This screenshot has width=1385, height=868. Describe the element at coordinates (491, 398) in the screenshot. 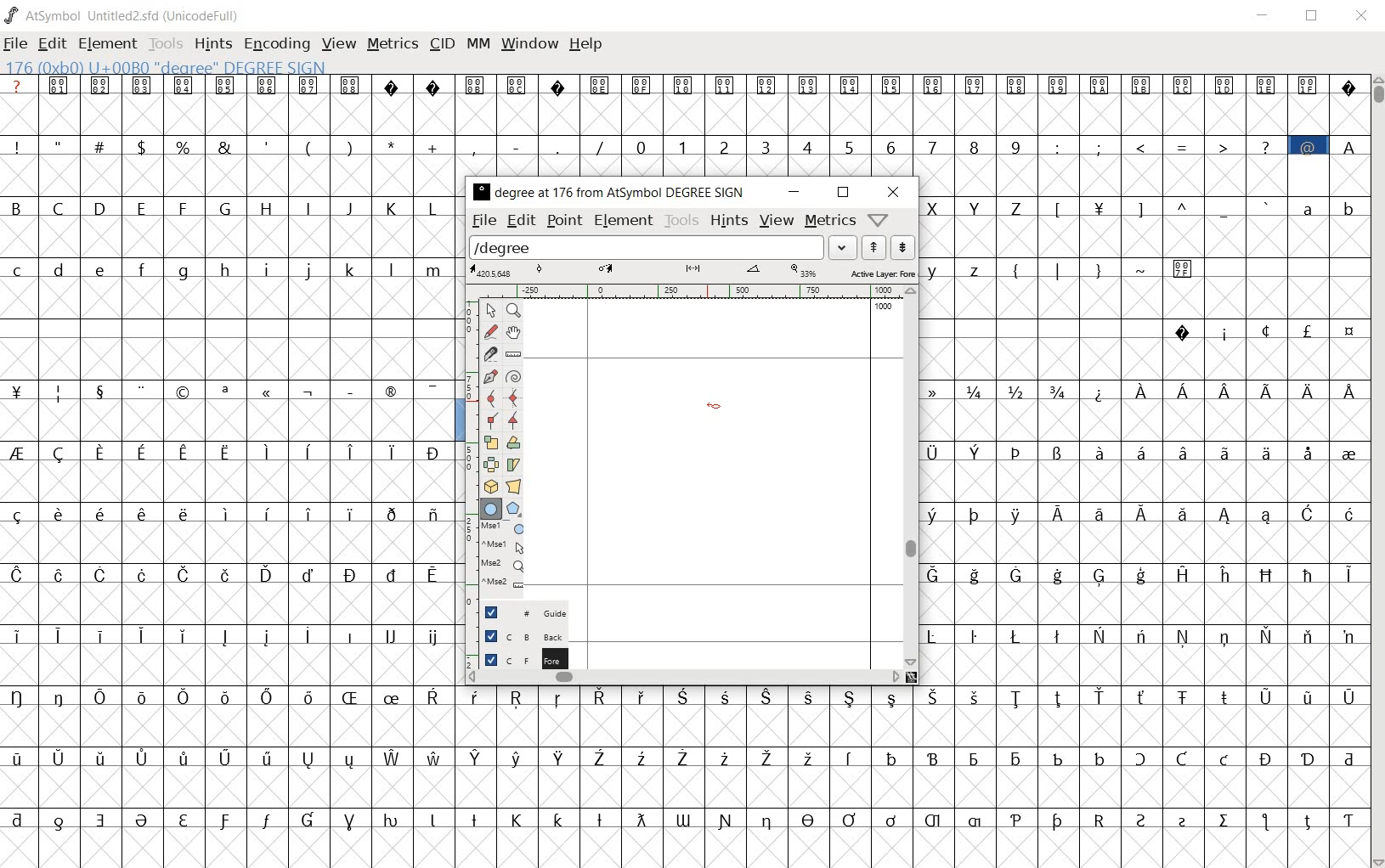

I see `add a curve point` at that location.